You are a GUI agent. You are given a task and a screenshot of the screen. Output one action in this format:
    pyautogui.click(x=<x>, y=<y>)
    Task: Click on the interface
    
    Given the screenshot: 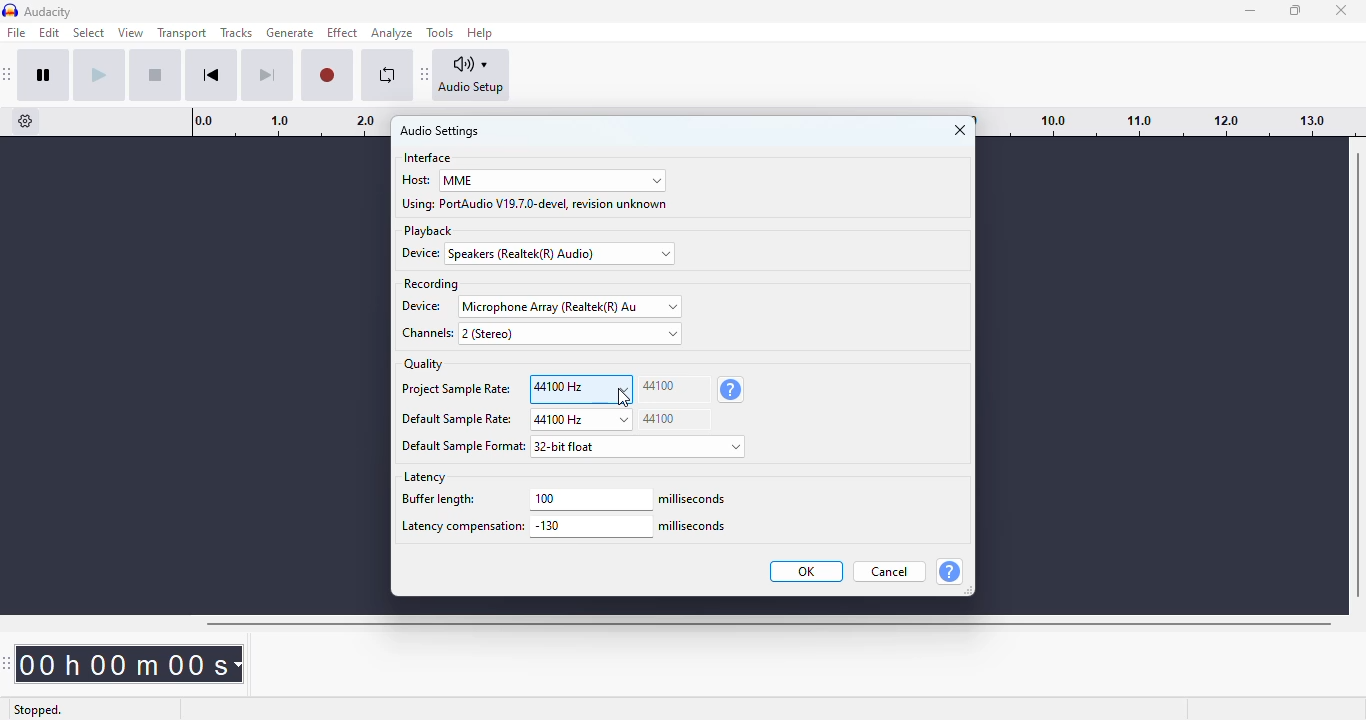 What is the action you would take?
    pyautogui.click(x=428, y=158)
    